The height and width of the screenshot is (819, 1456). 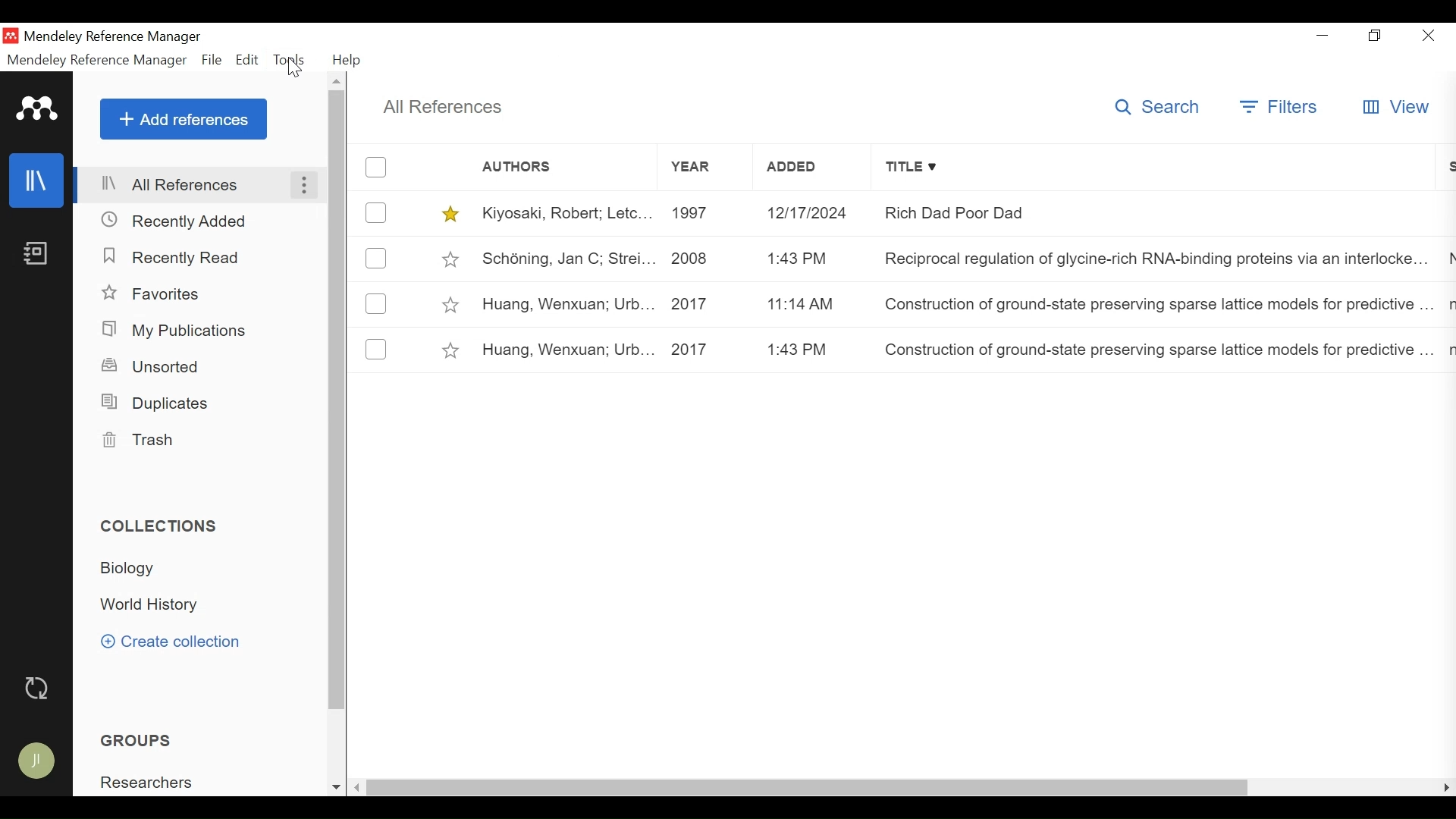 What do you see at coordinates (356, 789) in the screenshot?
I see `Scroll Left` at bounding box center [356, 789].